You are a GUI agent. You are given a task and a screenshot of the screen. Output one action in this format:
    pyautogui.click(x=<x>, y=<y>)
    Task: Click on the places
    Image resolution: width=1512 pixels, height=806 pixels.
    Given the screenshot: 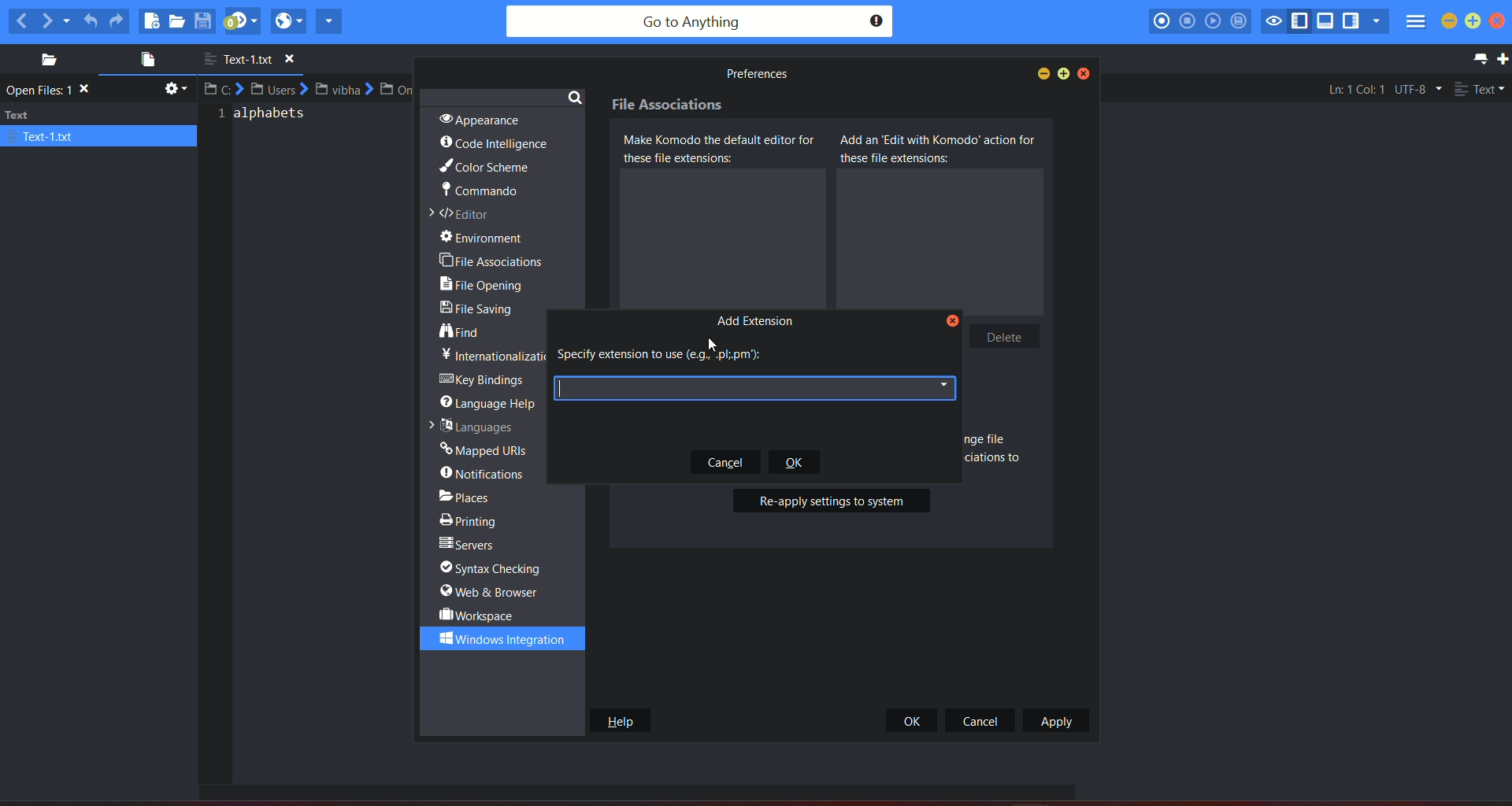 What is the action you would take?
    pyautogui.click(x=43, y=60)
    